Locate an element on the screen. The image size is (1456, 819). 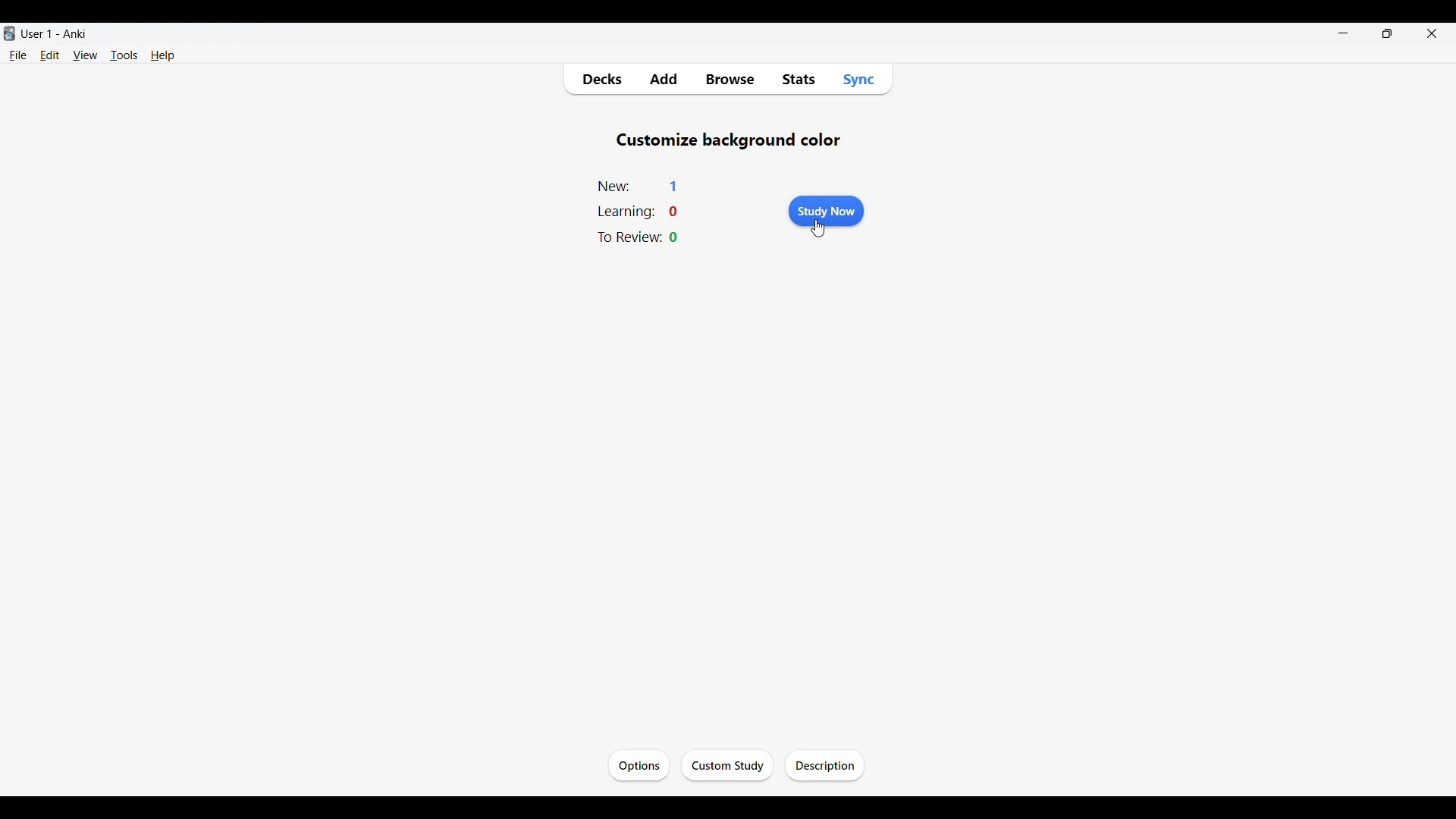
Sync is located at coordinates (858, 79).